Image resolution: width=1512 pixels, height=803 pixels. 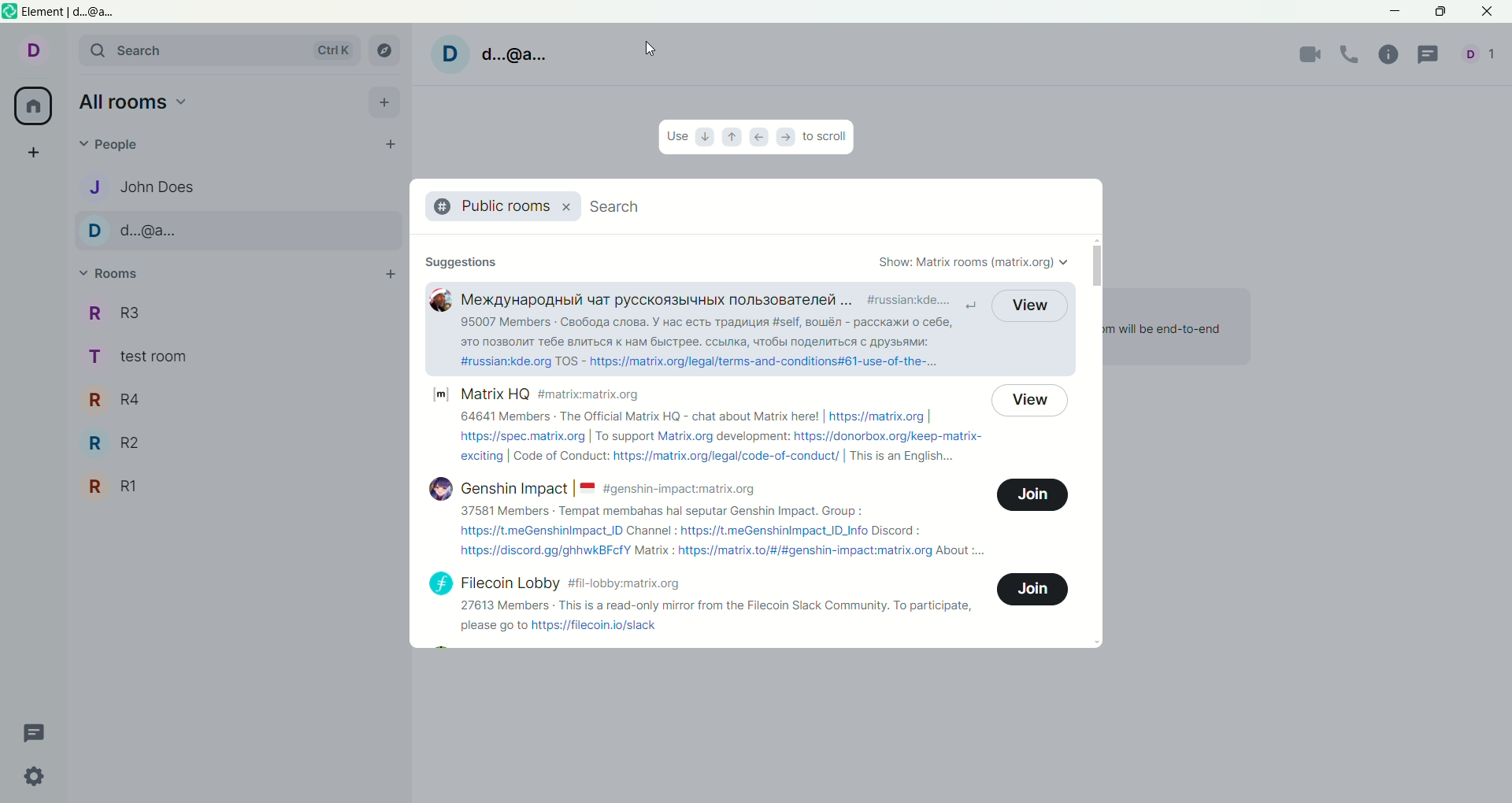 What do you see at coordinates (450, 55) in the screenshot?
I see `Profile picture` at bounding box center [450, 55].